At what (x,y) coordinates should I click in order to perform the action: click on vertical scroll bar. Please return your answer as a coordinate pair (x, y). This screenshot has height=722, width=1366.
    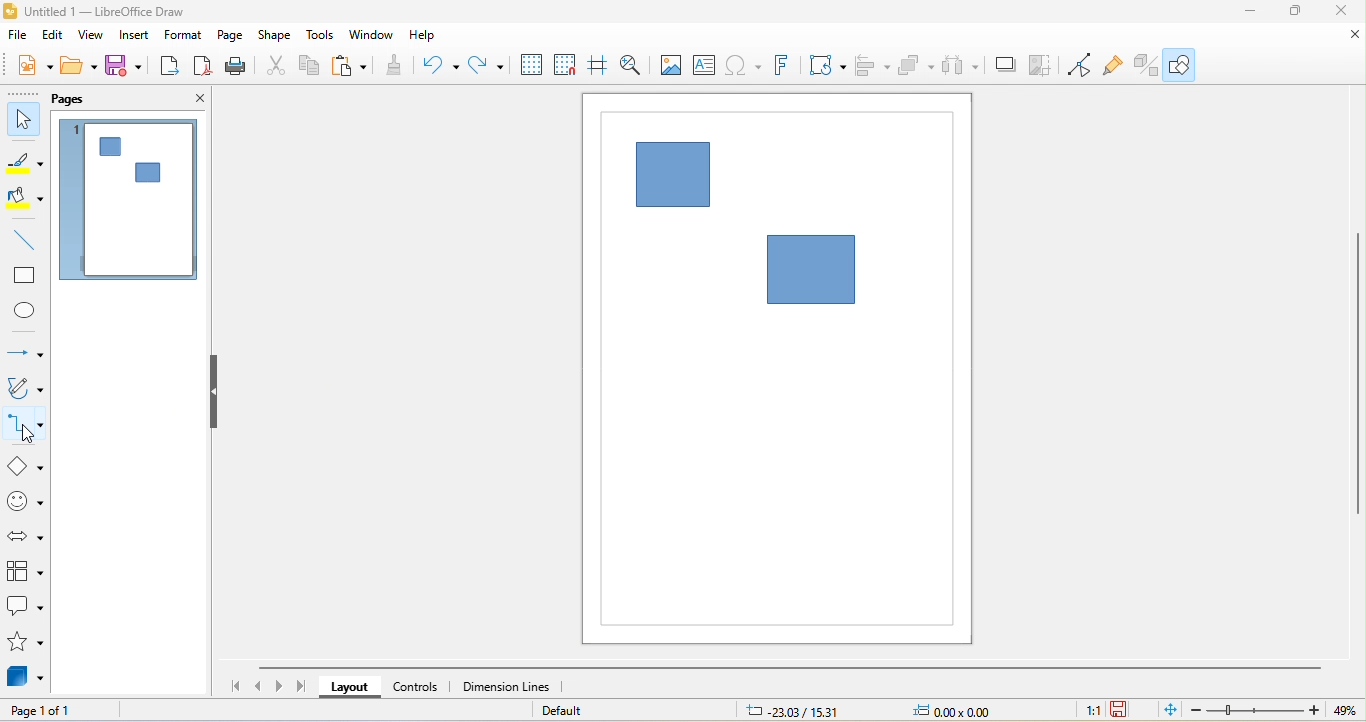
    Looking at the image, I should click on (1357, 381).